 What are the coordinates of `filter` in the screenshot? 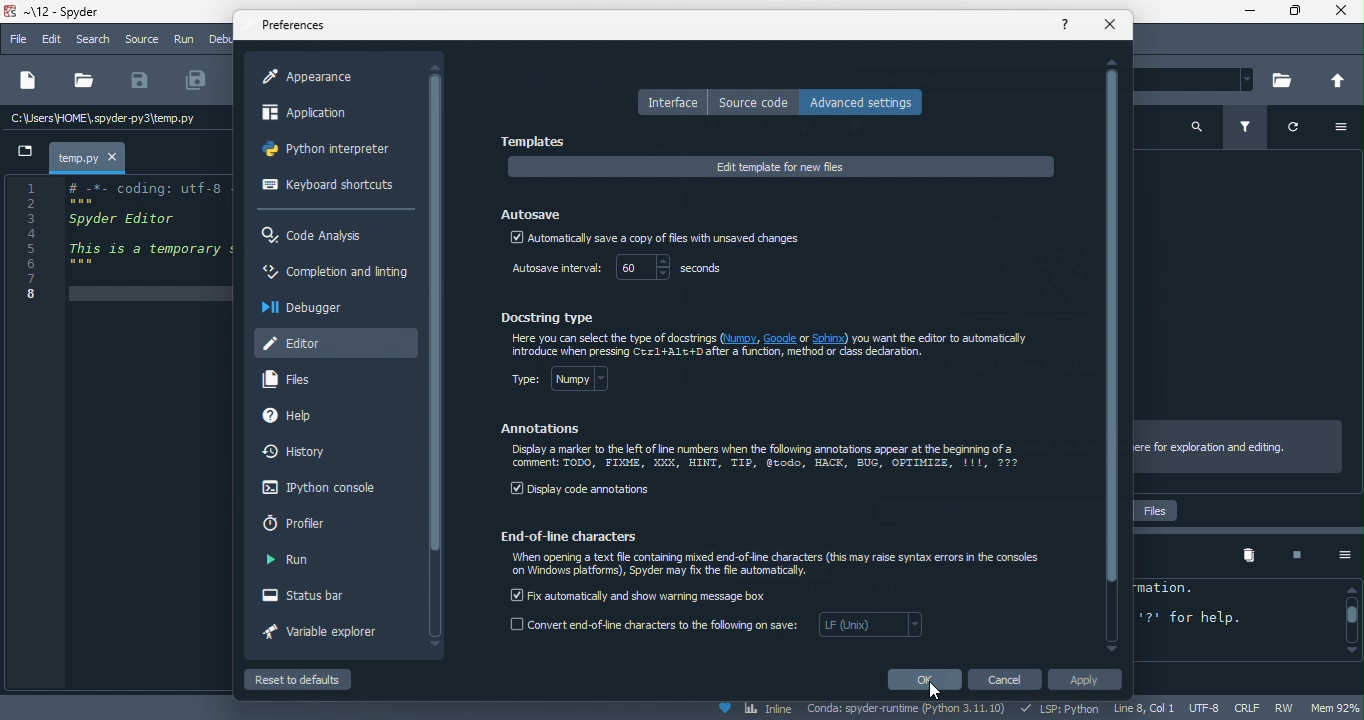 It's located at (1249, 129).